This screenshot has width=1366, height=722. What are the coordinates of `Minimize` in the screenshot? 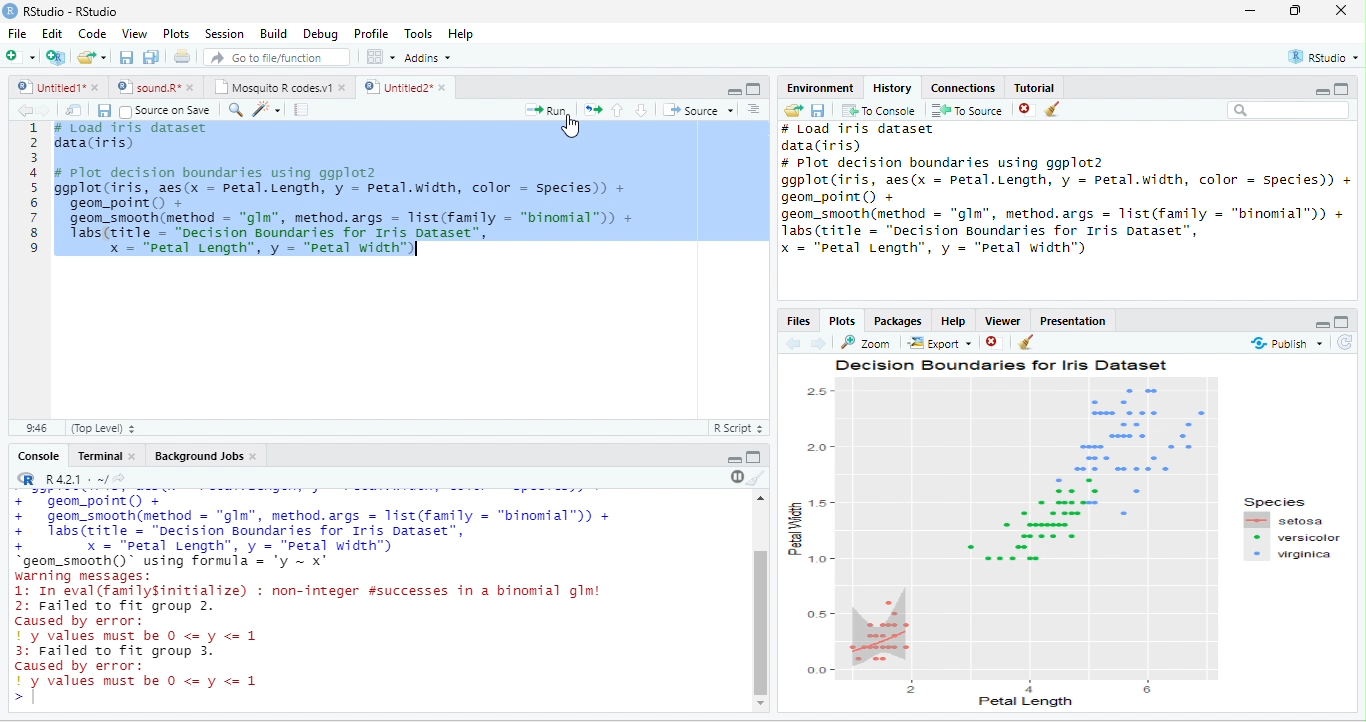 It's located at (1322, 326).